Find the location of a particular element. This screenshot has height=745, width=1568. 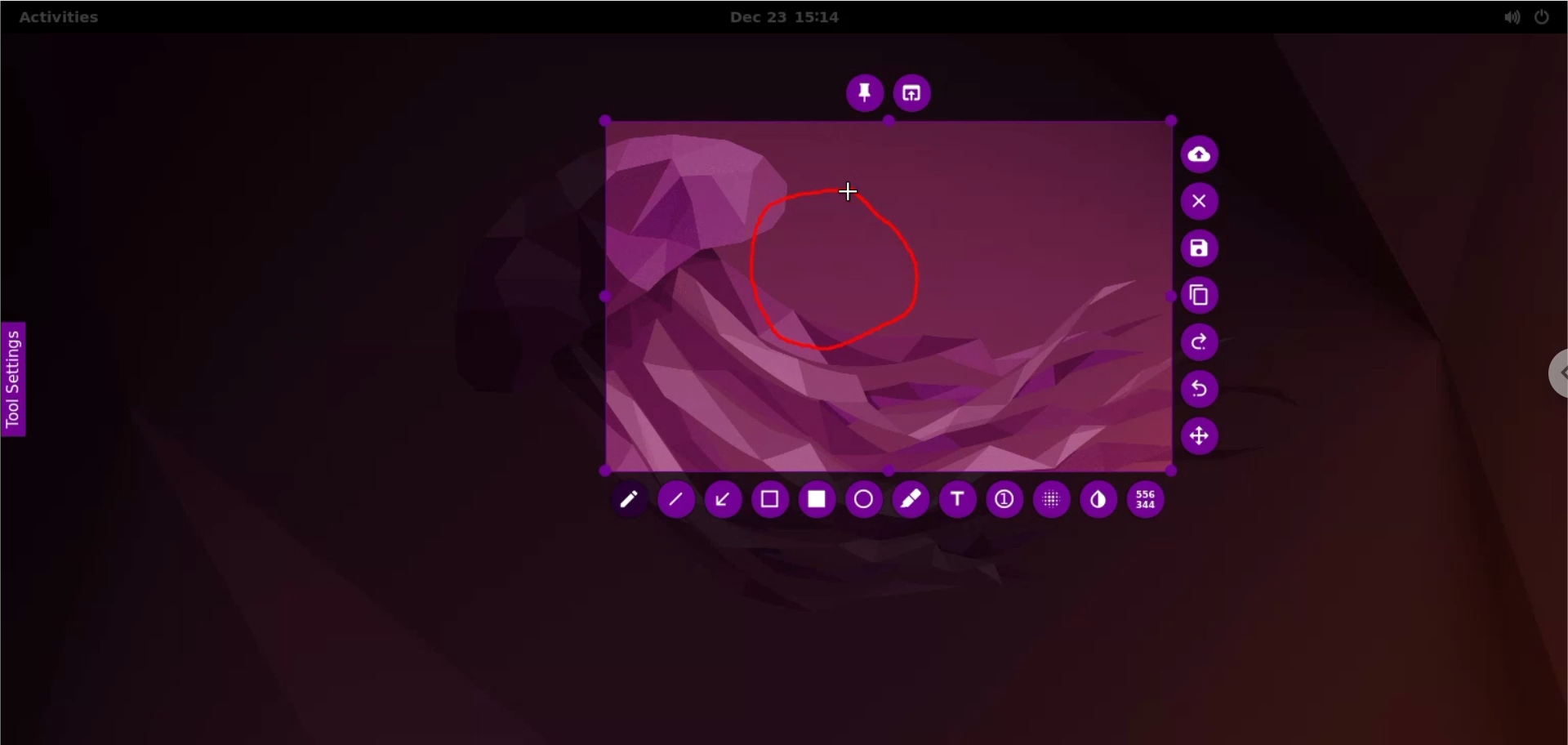

auto increment is located at coordinates (1004, 499).